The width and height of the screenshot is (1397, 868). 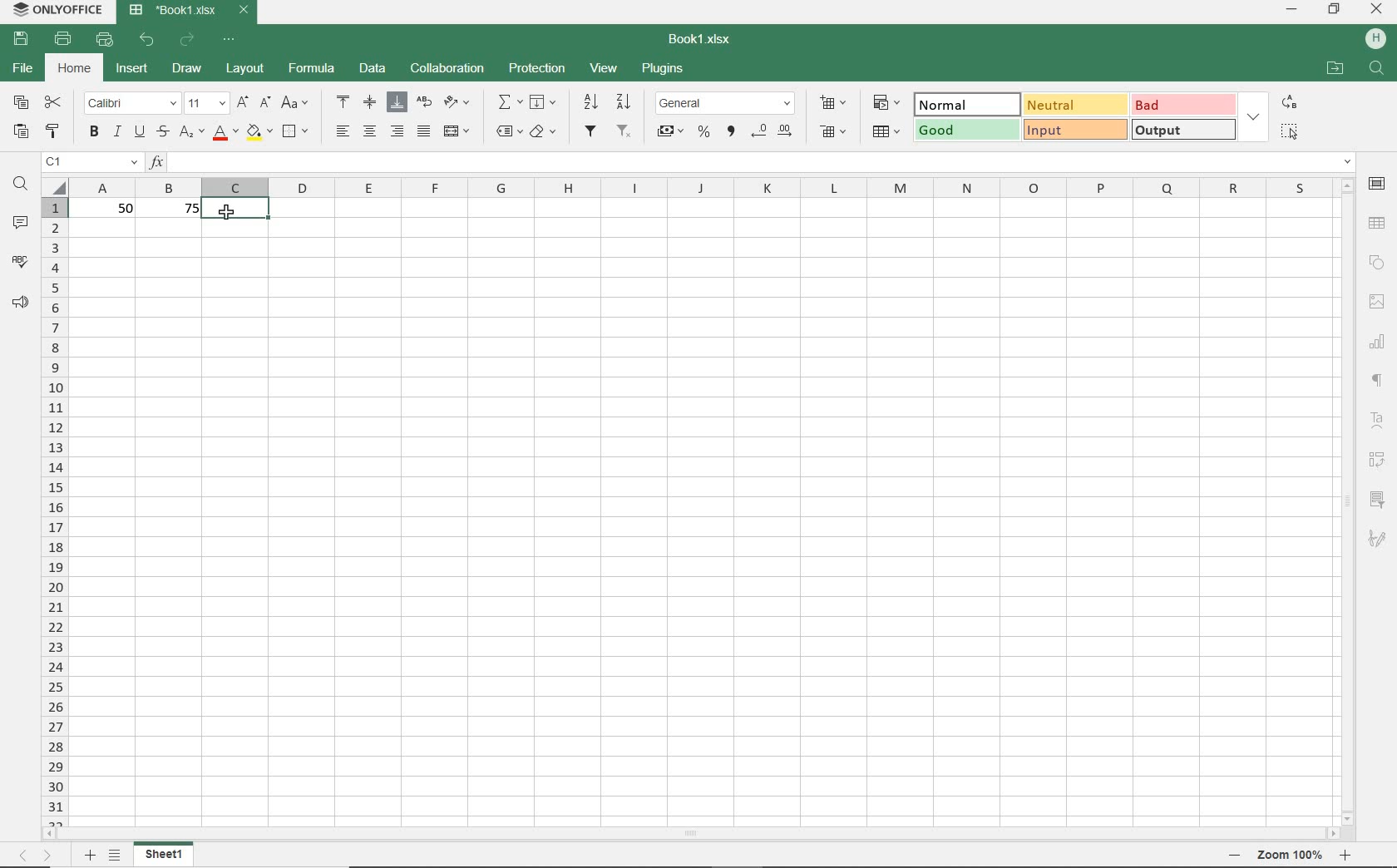 I want to click on comma style, so click(x=732, y=133).